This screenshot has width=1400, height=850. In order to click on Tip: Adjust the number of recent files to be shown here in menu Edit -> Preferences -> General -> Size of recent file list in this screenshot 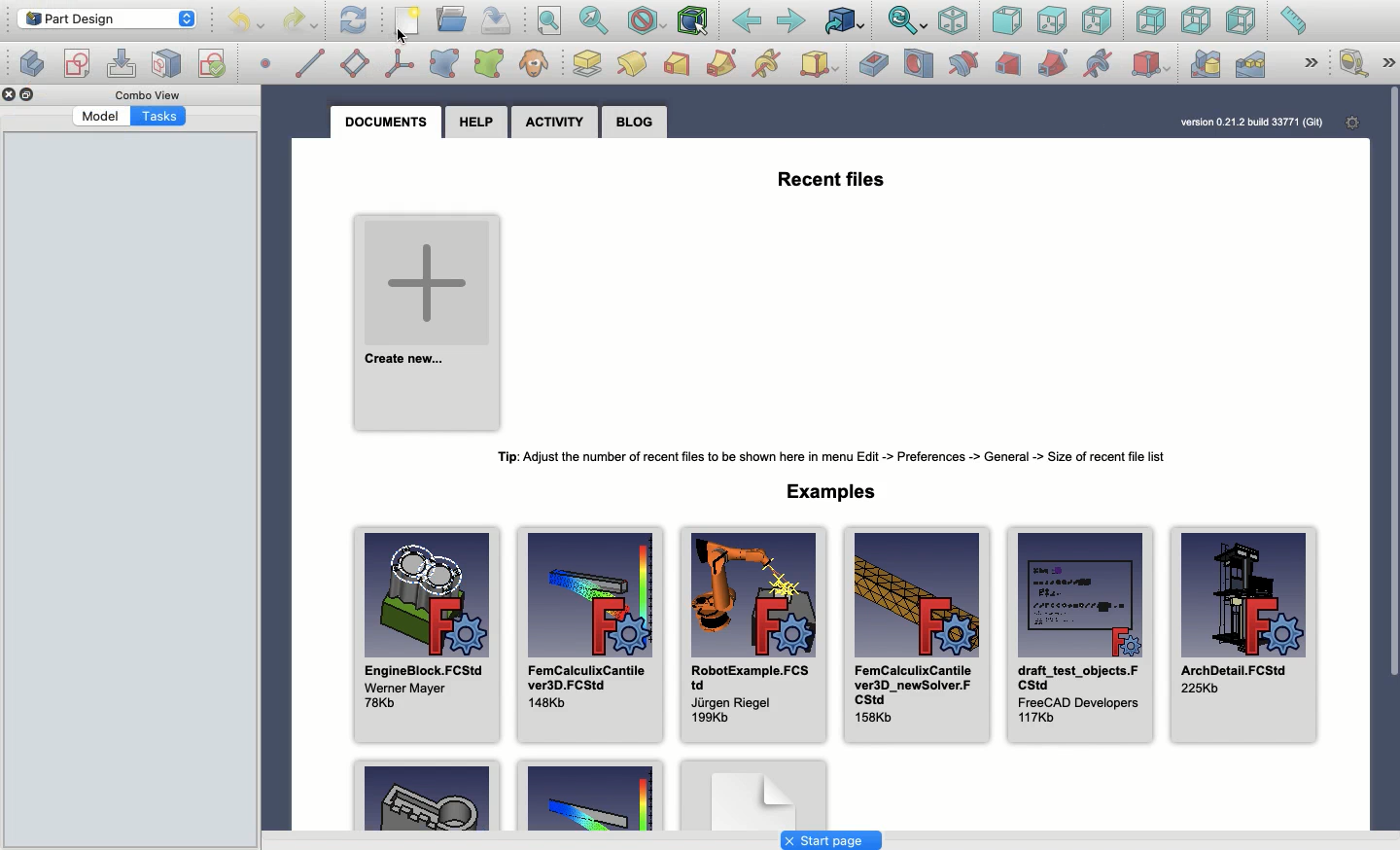, I will do `click(826, 453)`.